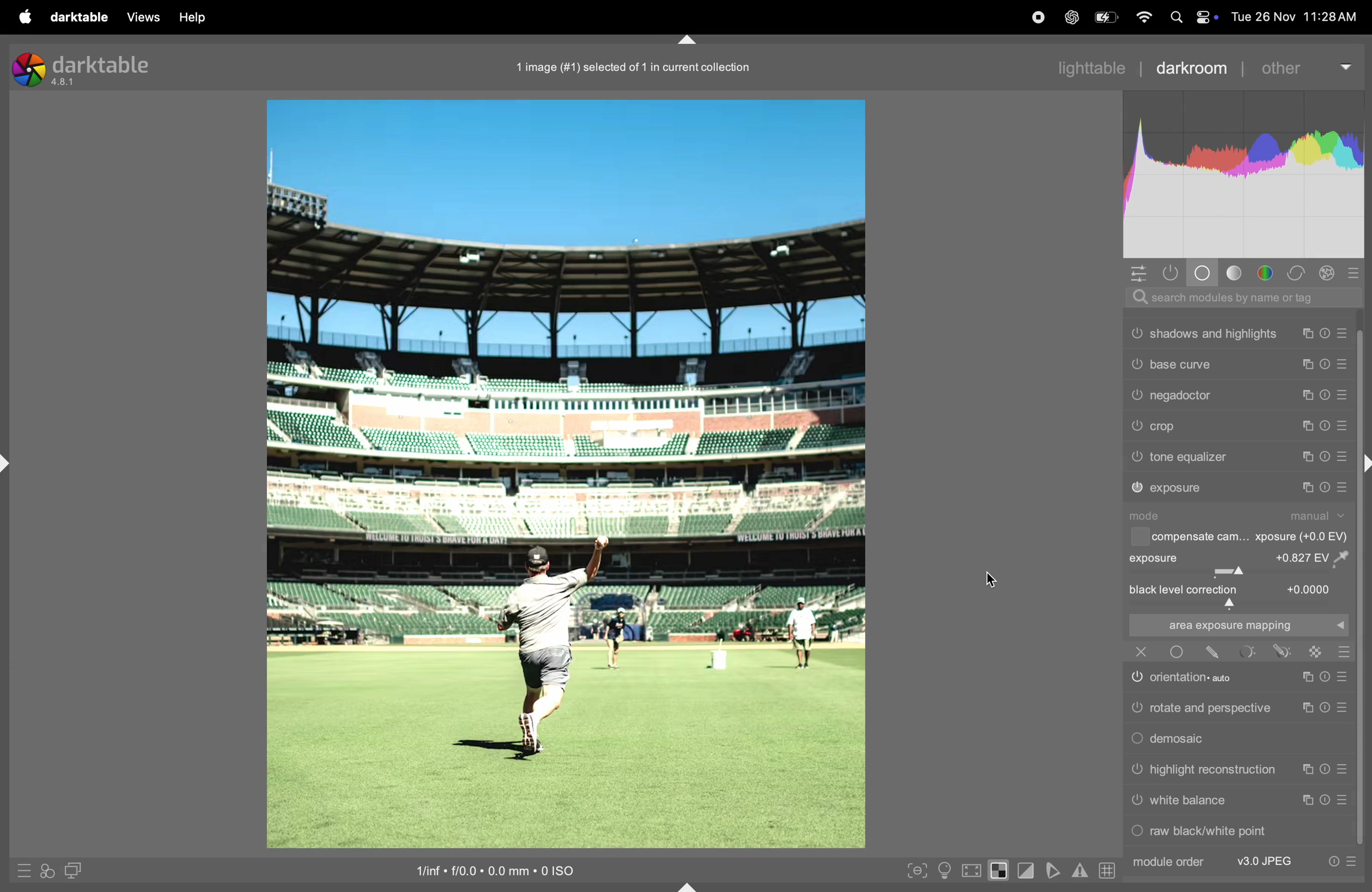 This screenshot has height=892, width=1372. I want to click on expand or collapse , so click(687, 38).